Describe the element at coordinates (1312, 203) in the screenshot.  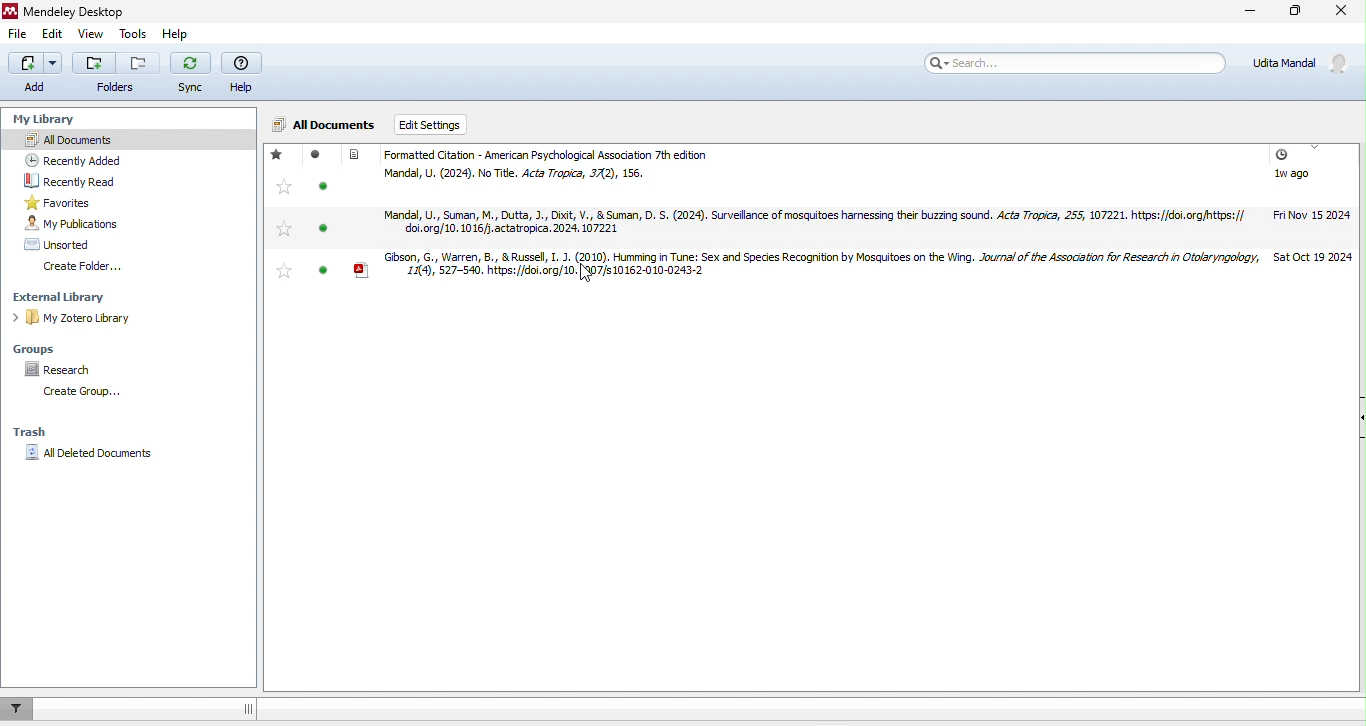
I see `1w agoFriNov 15 2024 sat oct 19 2024` at that location.